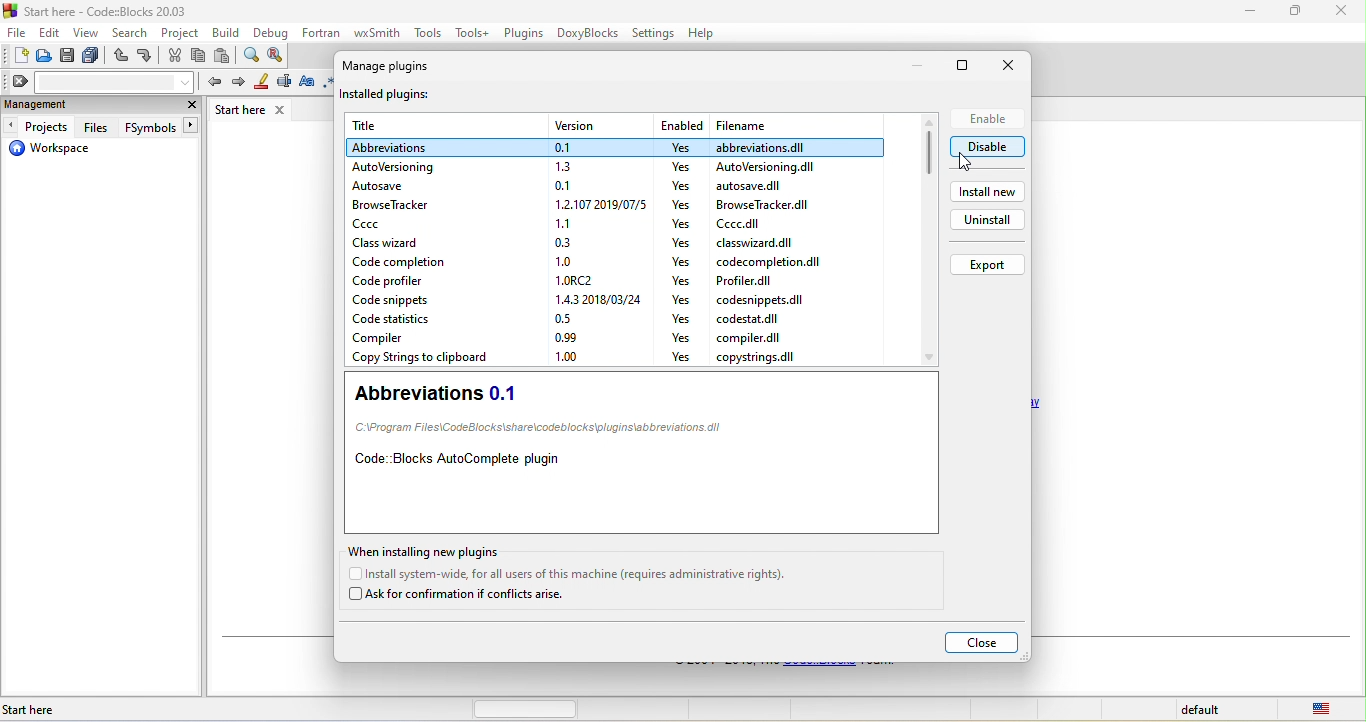  Describe the element at coordinates (772, 260) in the screenshot. I see `file` at that location.